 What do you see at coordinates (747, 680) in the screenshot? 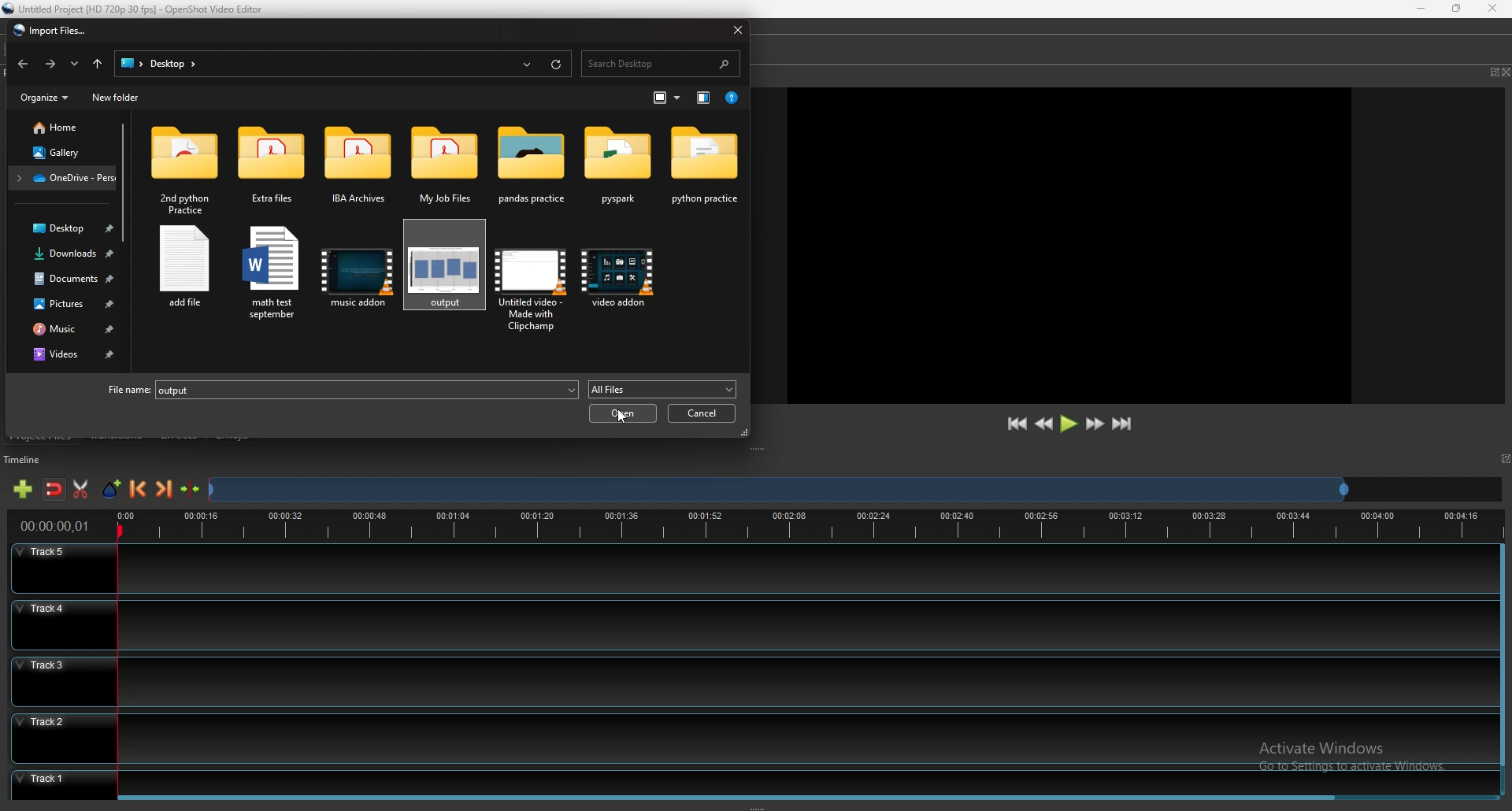
I see `track 3` at bounding box center [747, 680].